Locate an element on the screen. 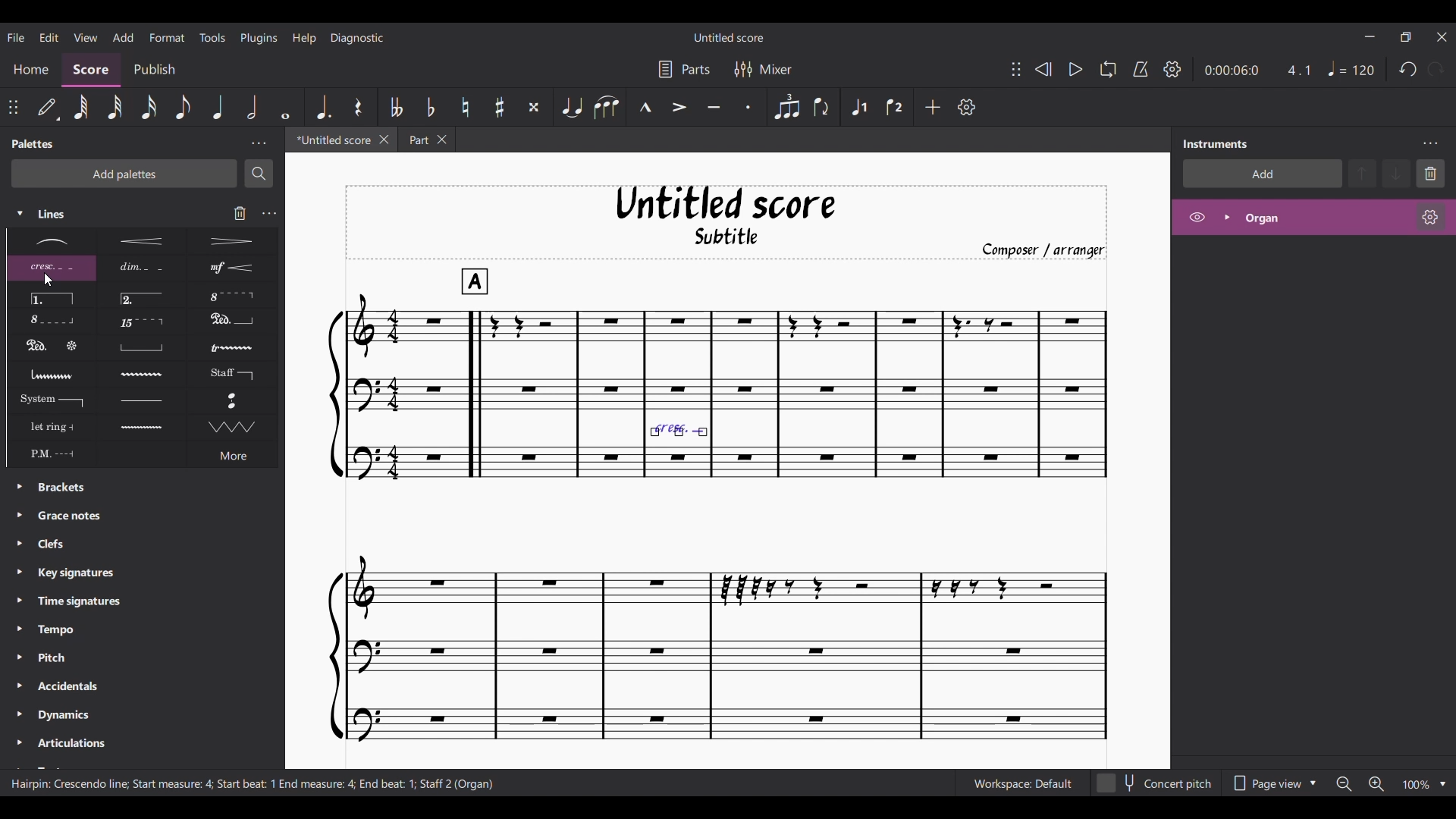 This screenshot has height=819, width=1456. Change position of toolbar attached is located at coordinates (1016, 69).